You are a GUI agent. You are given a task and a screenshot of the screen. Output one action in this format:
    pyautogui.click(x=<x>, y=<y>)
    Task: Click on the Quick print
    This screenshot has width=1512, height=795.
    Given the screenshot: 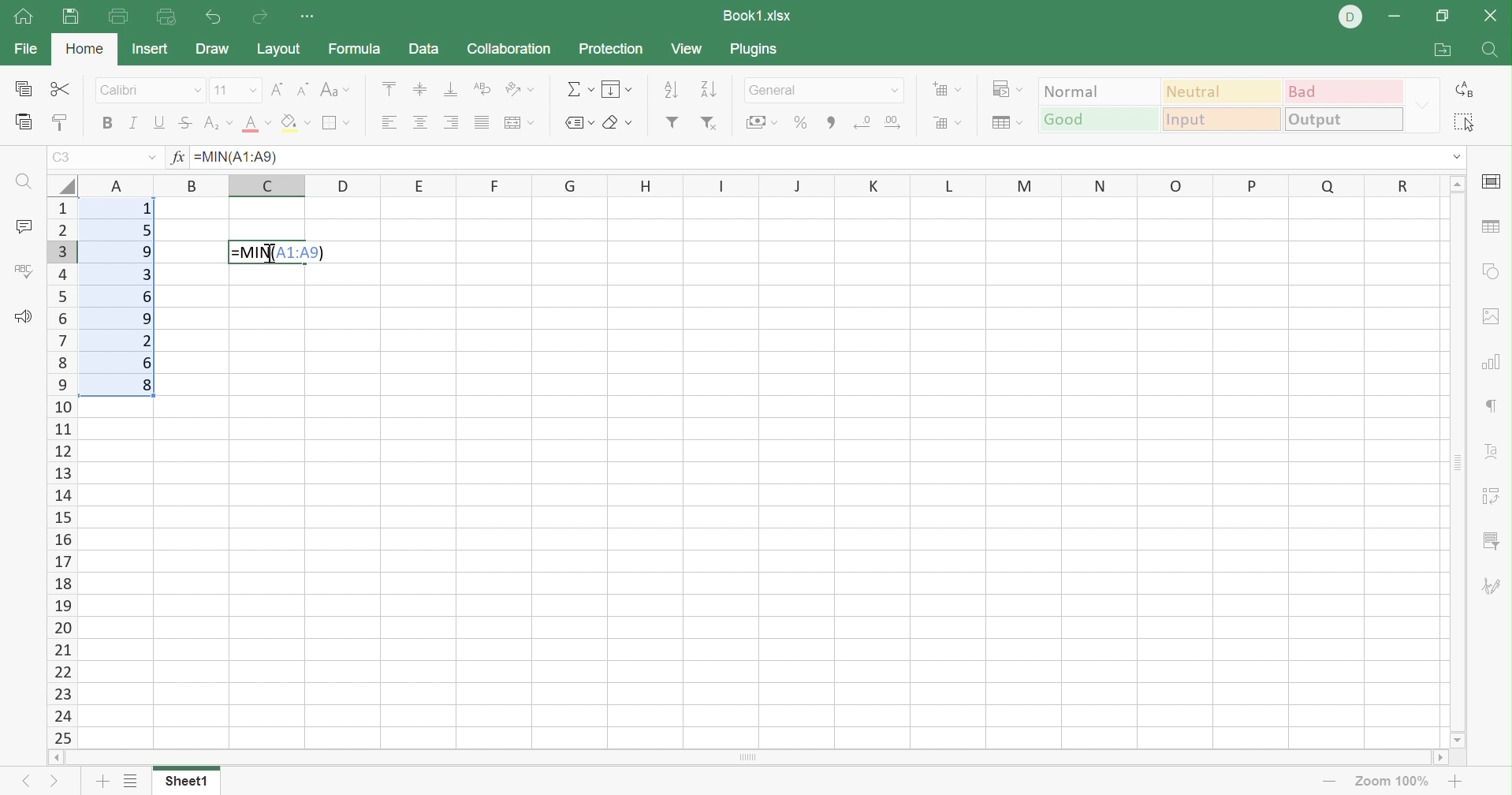 What is the action you would take?
    pyautogui.click(x=167, y=19)
    